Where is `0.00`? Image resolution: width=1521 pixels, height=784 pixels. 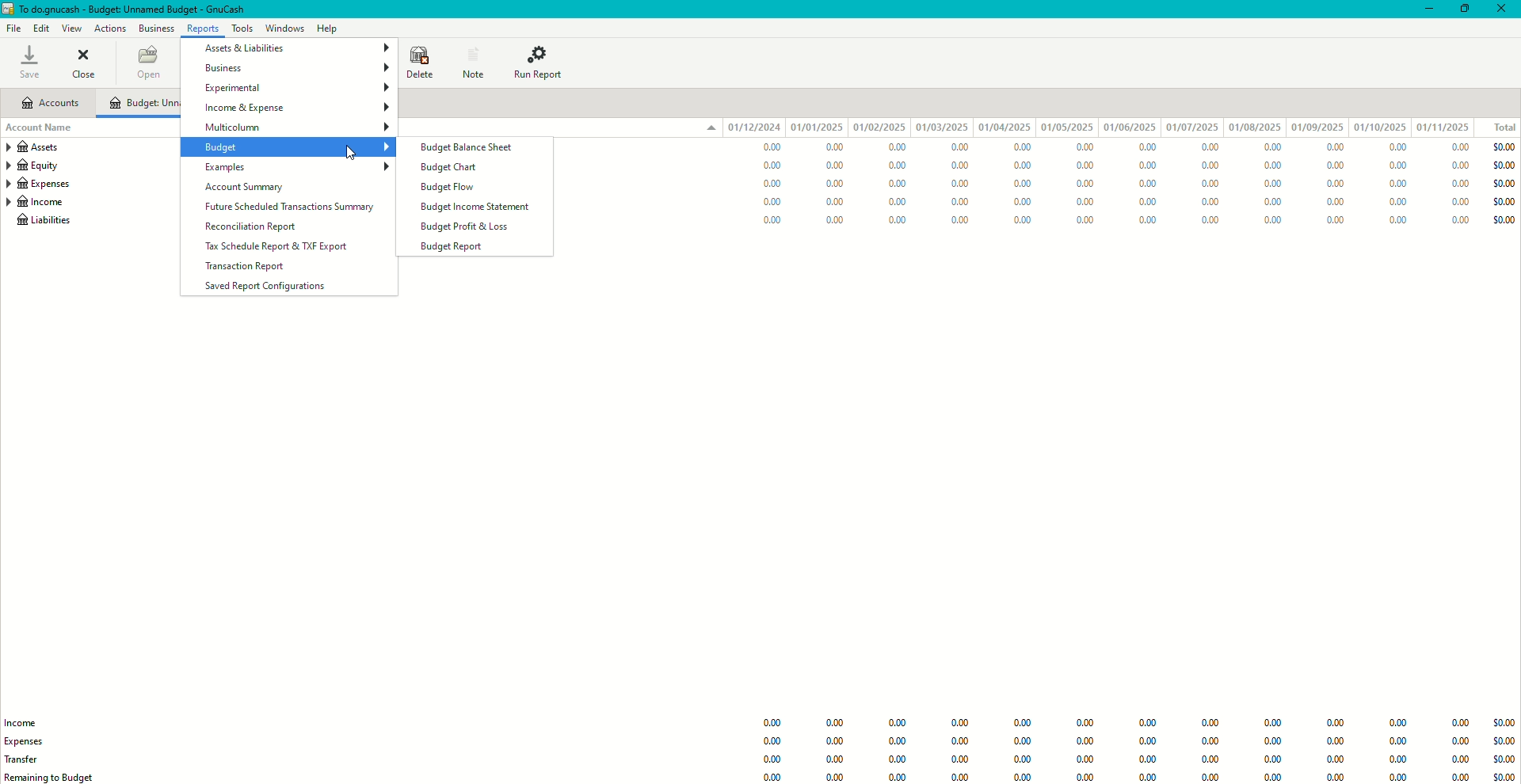
0.00 is located at coordinates (1264, 147).